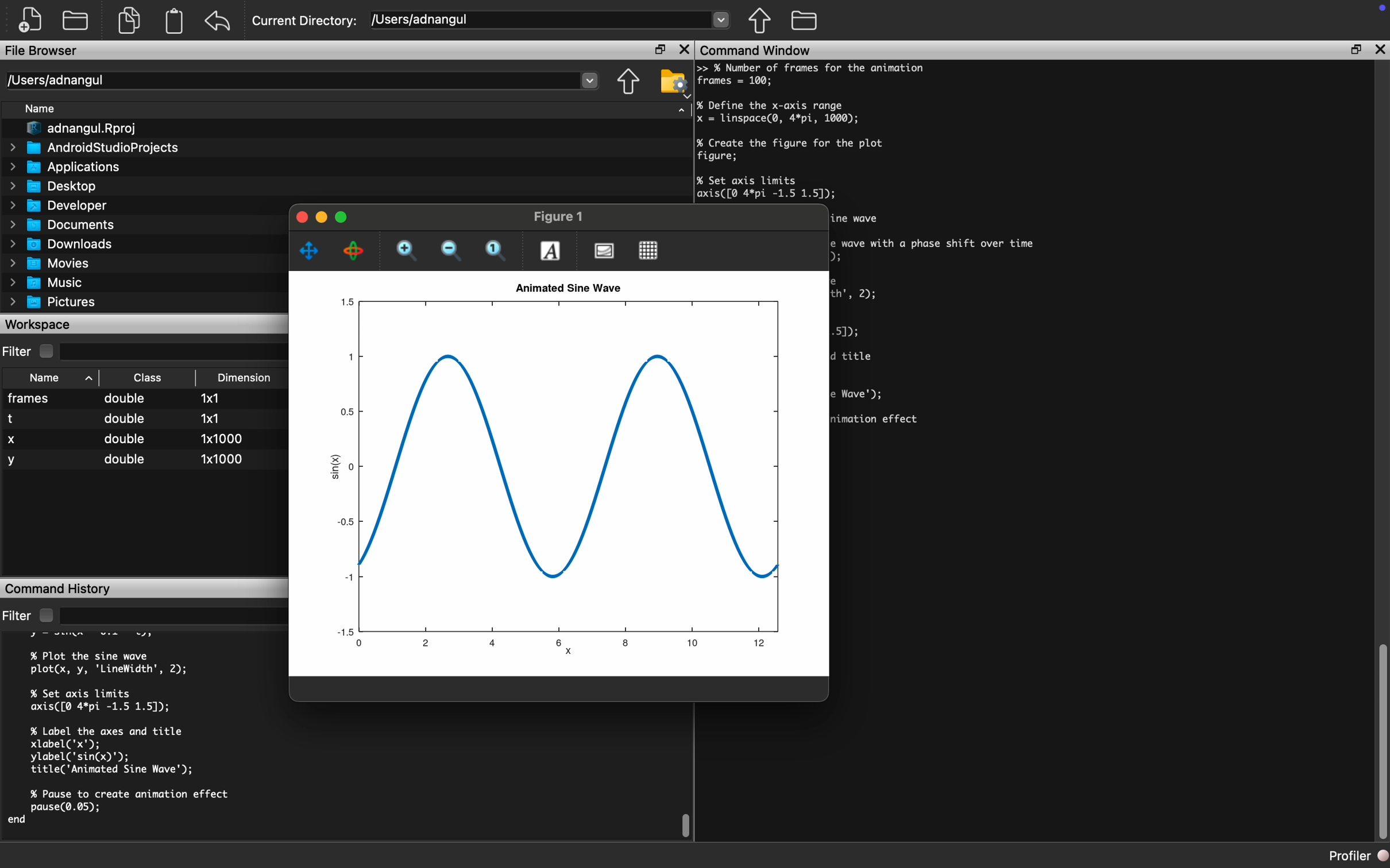 Image resolution: width=1390 pixels, height=868 pixels. Describe the element at coordinates (29, 18) in the screenshot. I see `New File` at that location.